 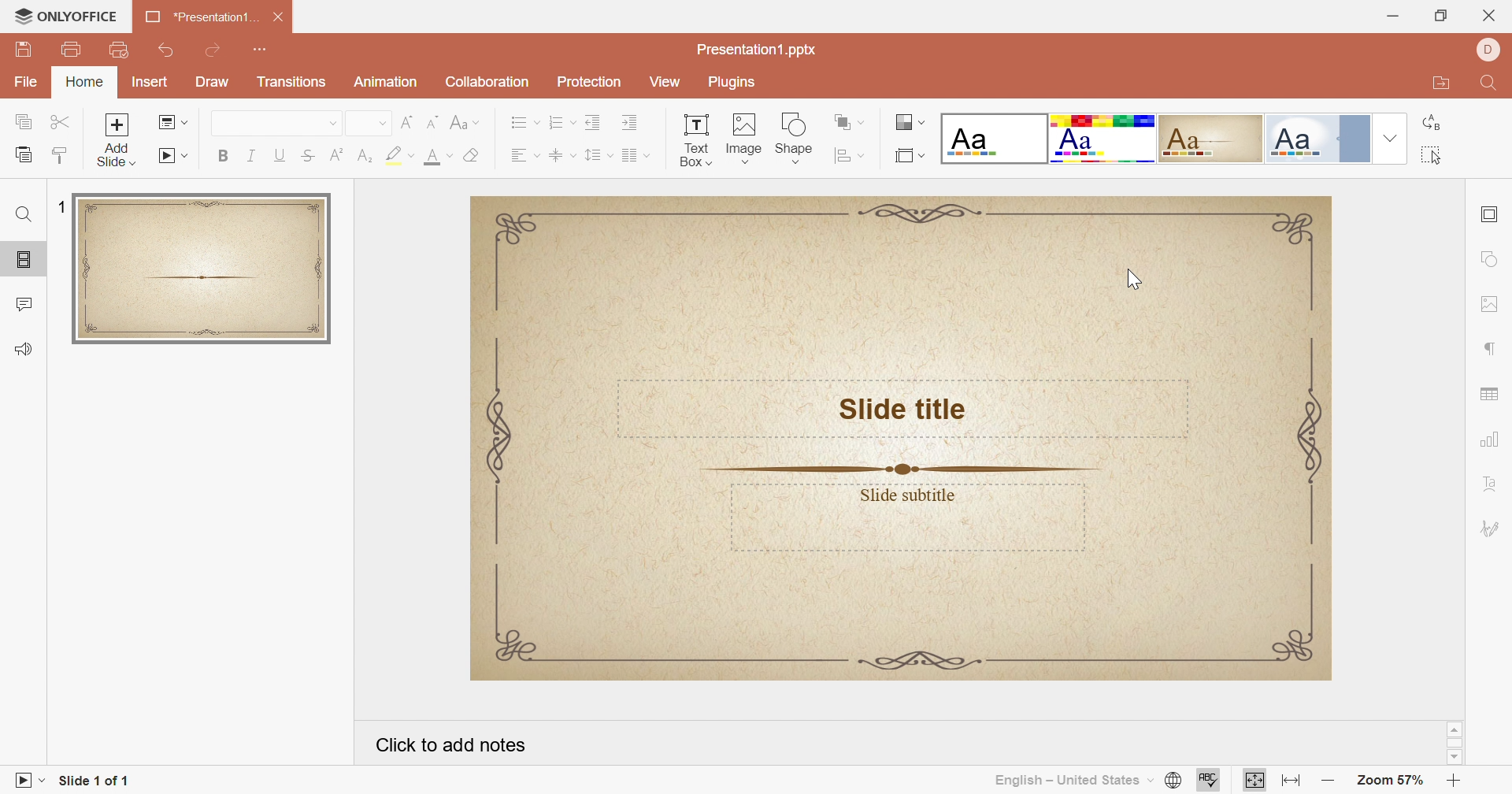 What do you see at coordinates (21, 49) in the screenshot?
I see `Save` at bounding box center [21, 49].